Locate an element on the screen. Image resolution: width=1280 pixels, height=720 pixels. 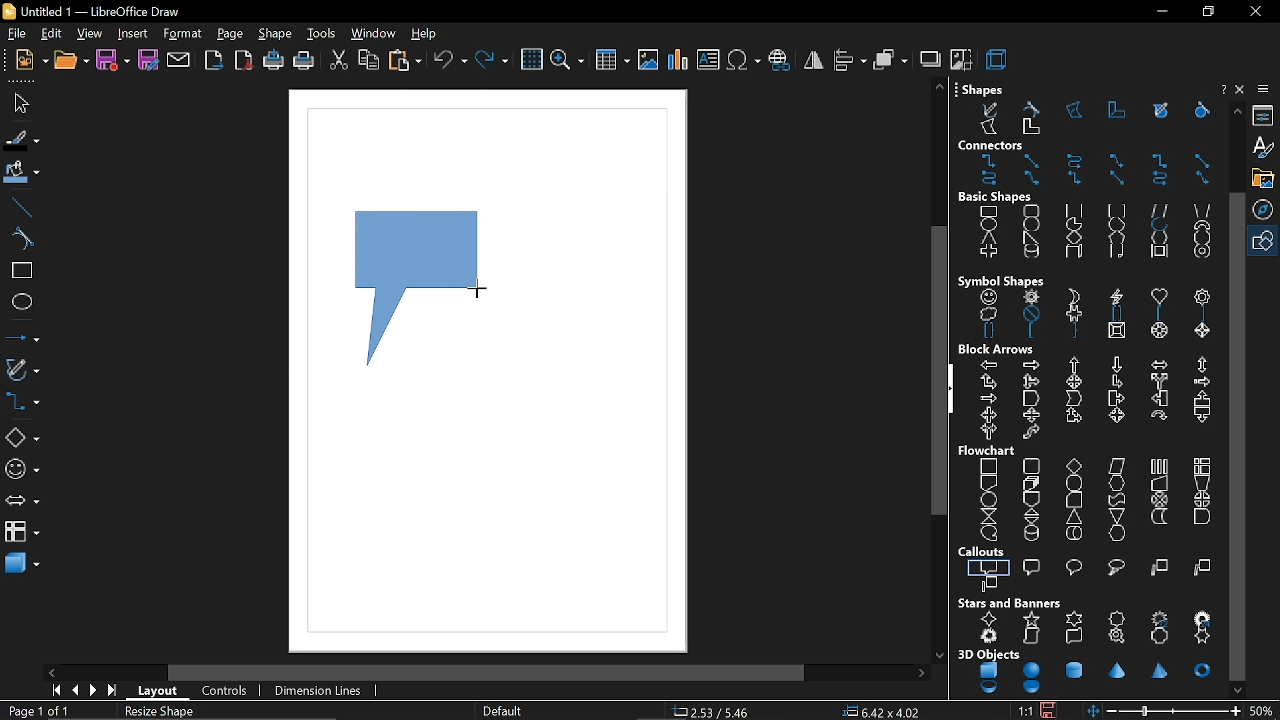
change zoom is located at coordinates (1175, 710).